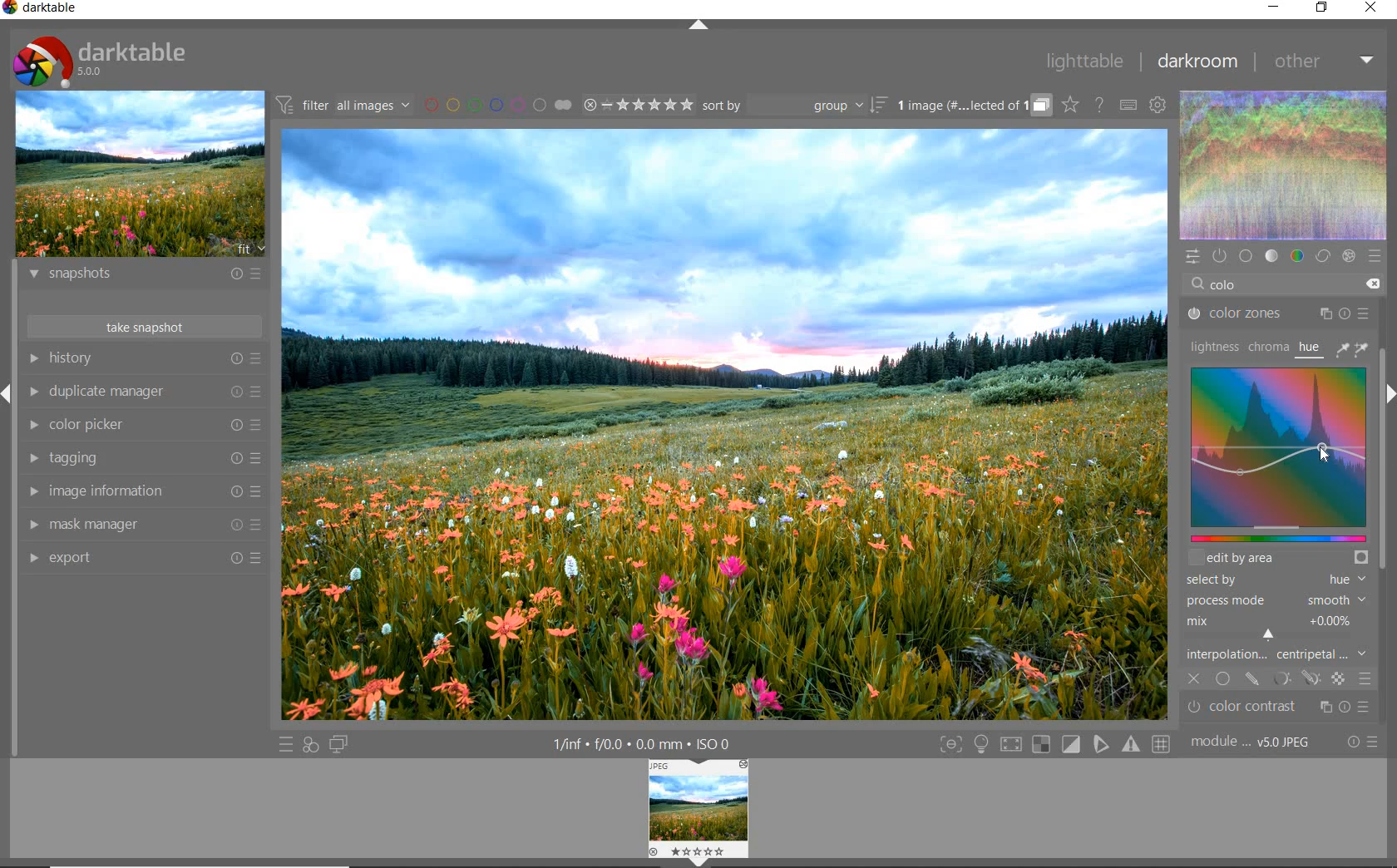  What do you see at coordinates (338, 743) in the screenshot?
I see `display a second darkroom image window` at bounding box center [338, 743].